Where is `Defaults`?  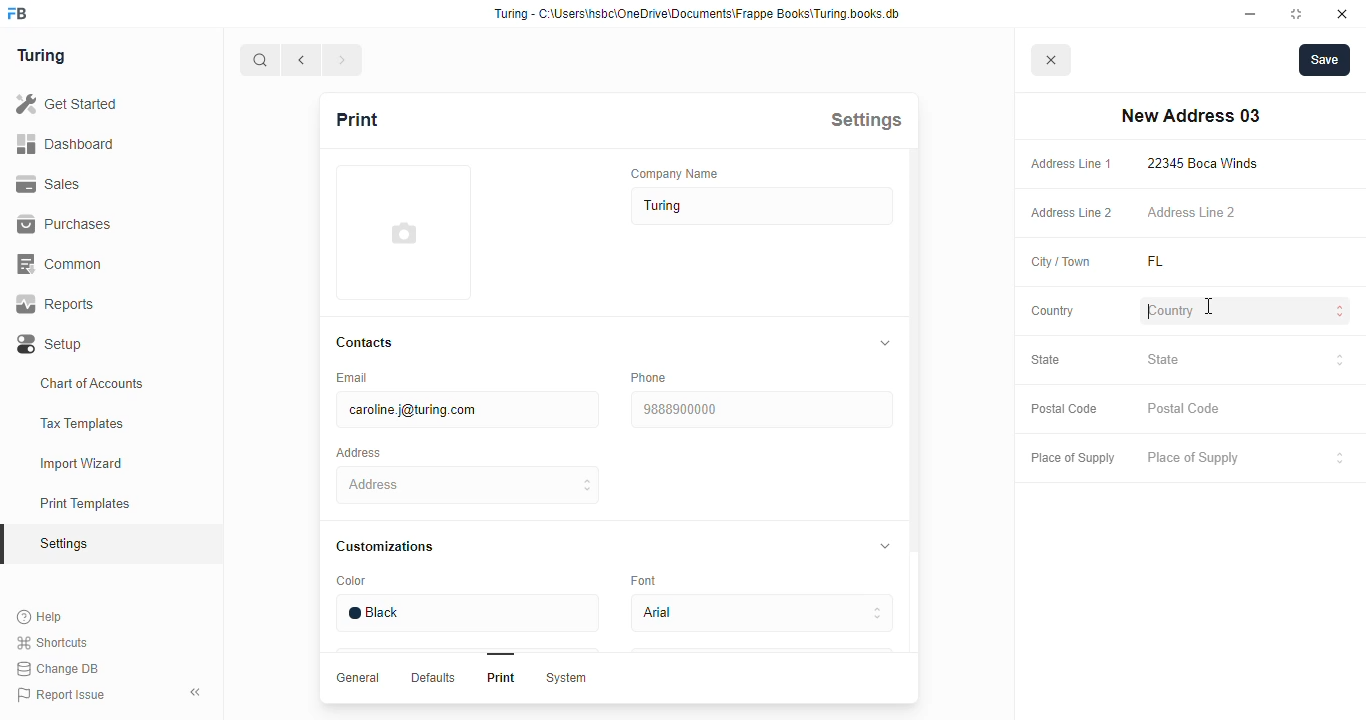 Defaults is located at coordinates (431, 677).